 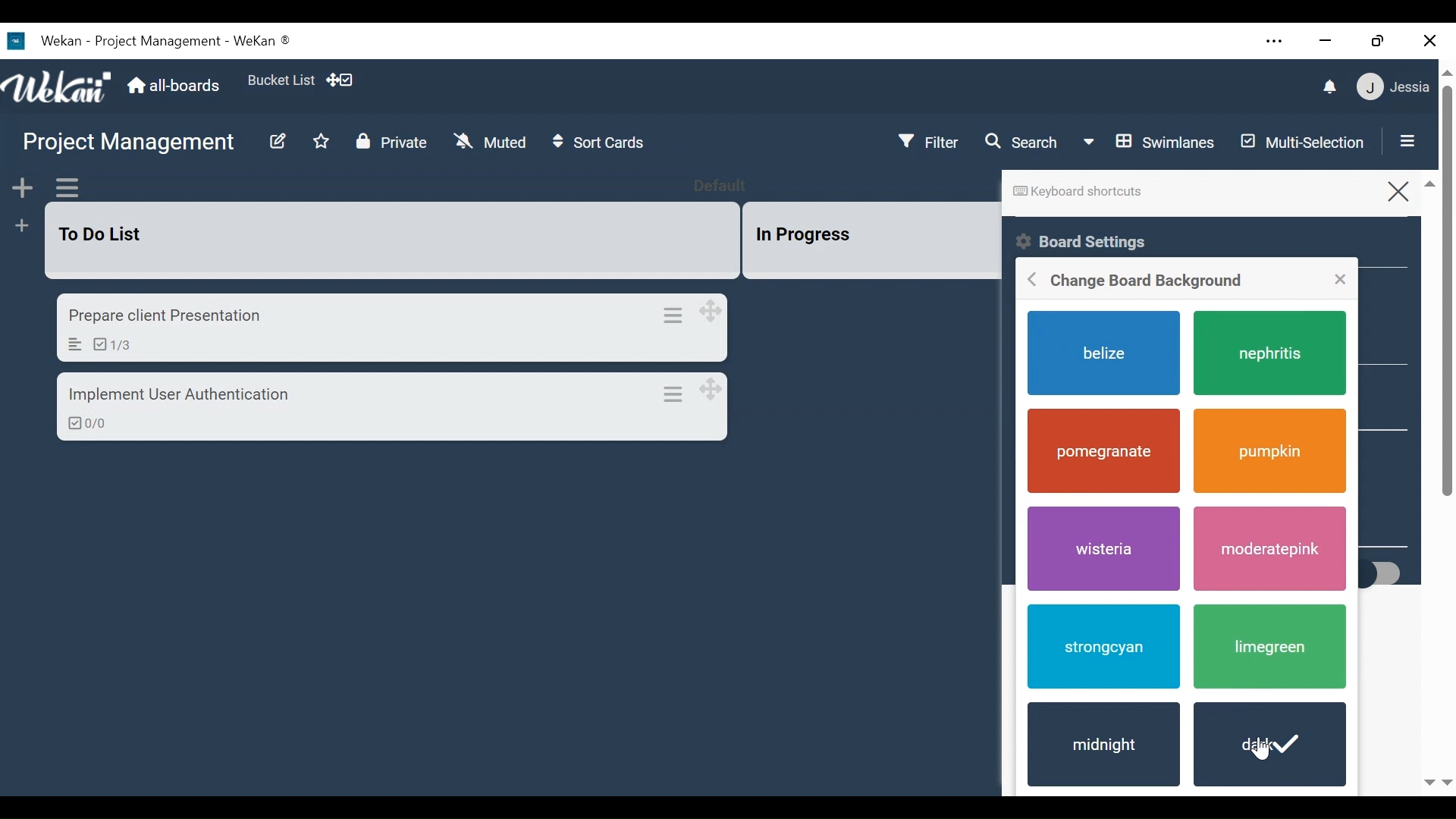 I want to click on strongcyan, so click(x=1101, y=645).